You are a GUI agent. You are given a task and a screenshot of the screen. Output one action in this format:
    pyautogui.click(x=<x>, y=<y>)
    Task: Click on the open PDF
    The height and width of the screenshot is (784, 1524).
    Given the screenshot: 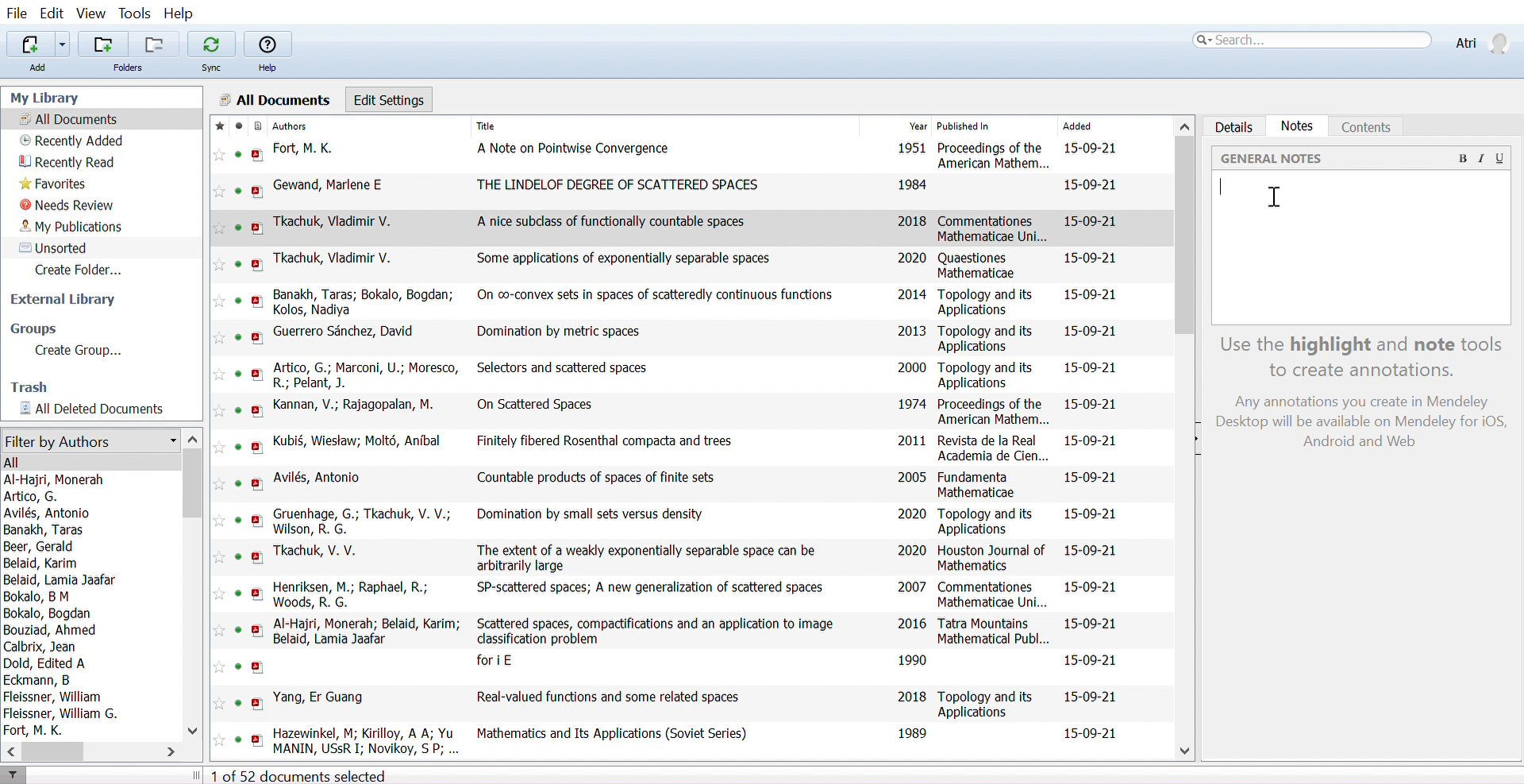 What is the action you would take?
    pyautogui.click(x=257, y=594)
    